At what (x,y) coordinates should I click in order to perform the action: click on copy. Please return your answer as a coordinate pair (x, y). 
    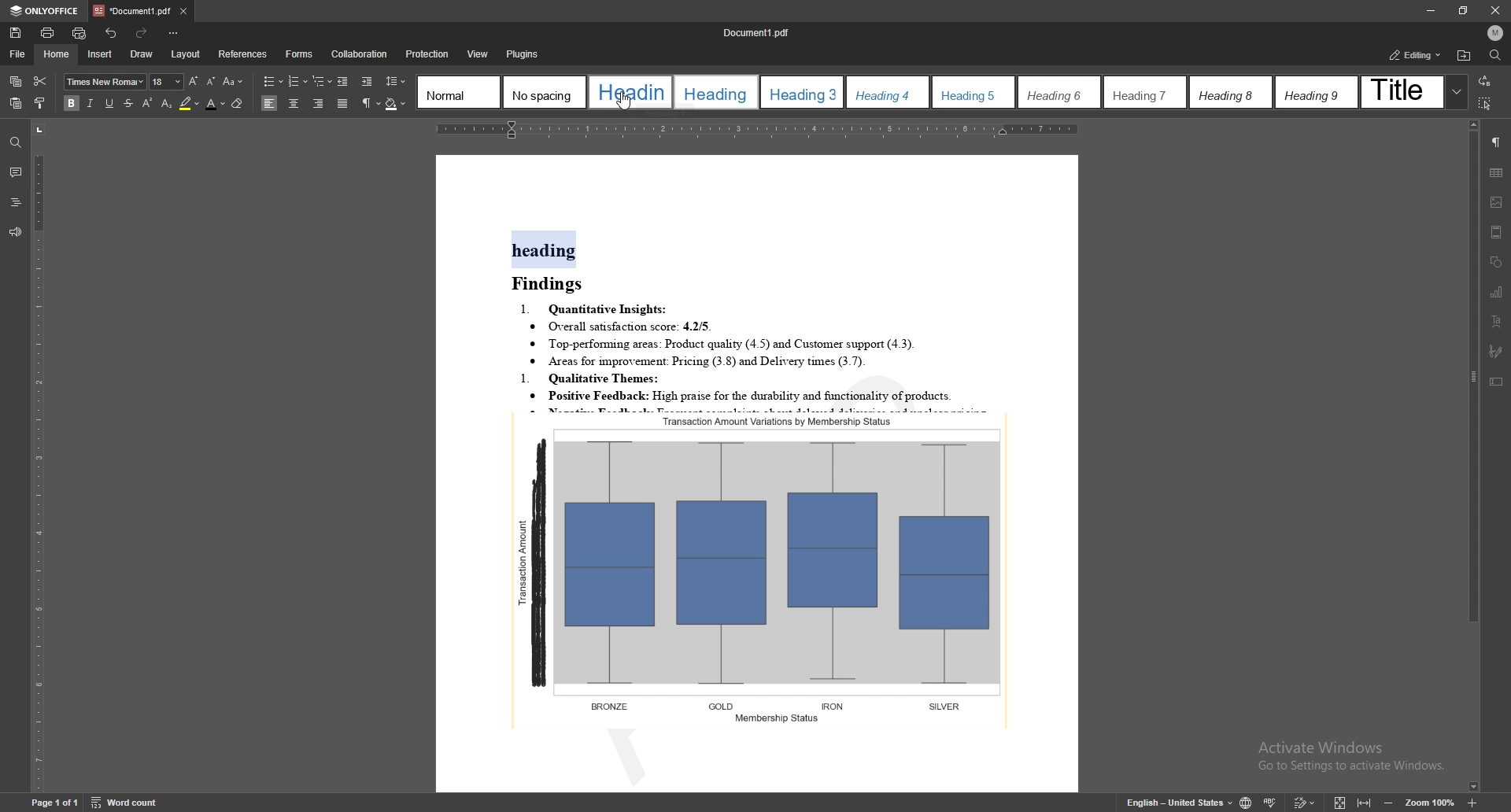
    Looking at the image, I should click on (16, 82).